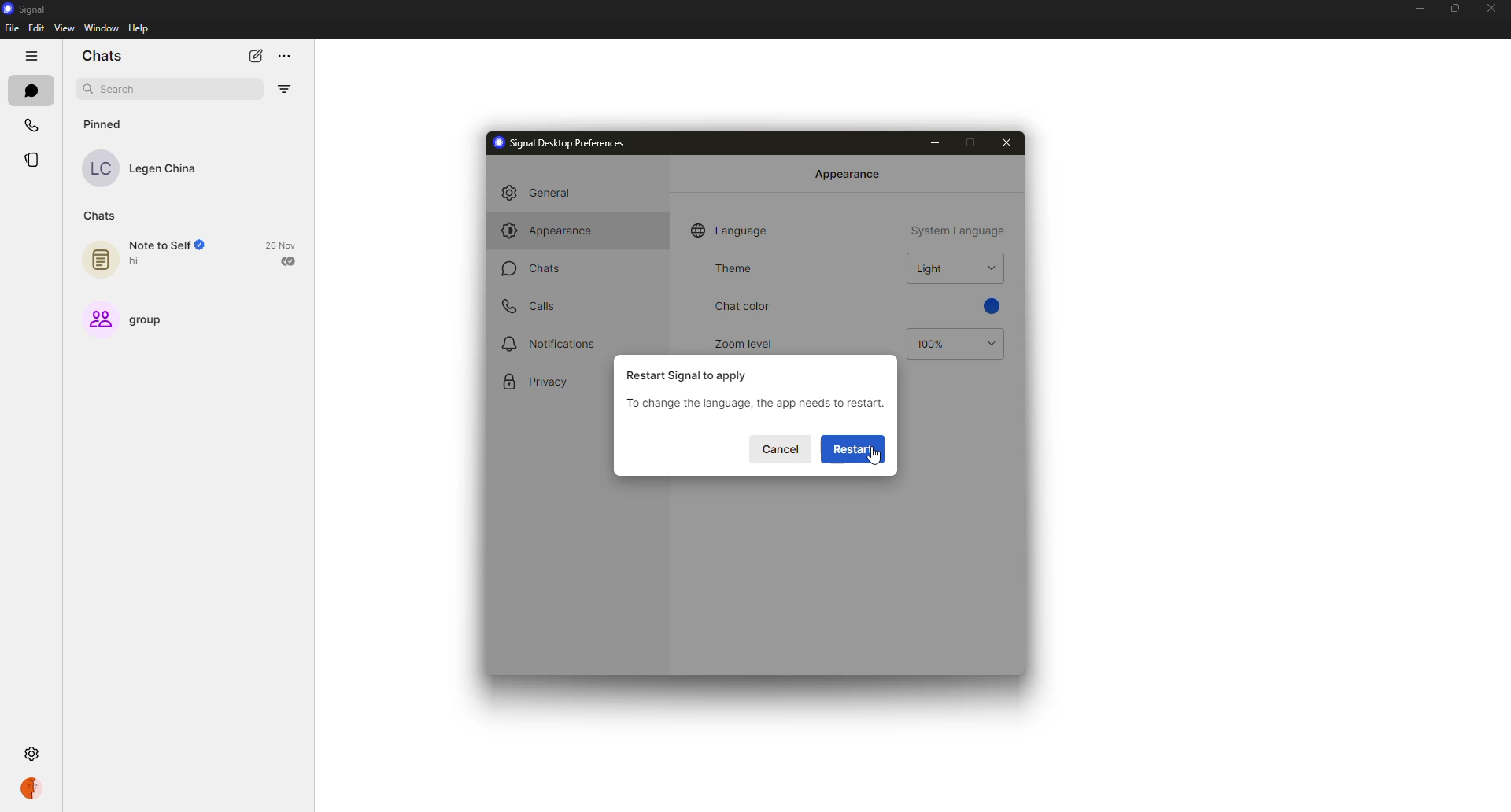 The height and width of the screenshot is (812, 1511). What do you see at coordinates (988, 343) in the screenshot?
I see `drop` at bounding box center [988, 343].